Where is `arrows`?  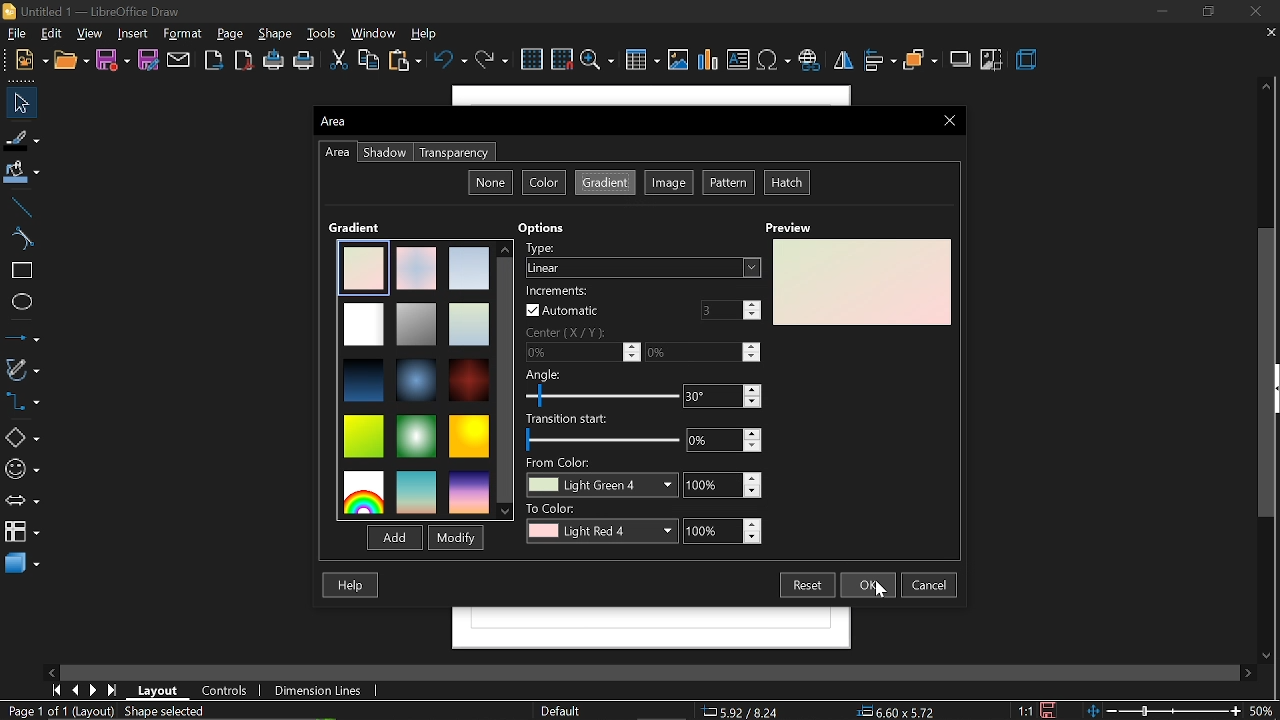 arrows is located at coordinates (22, 503).